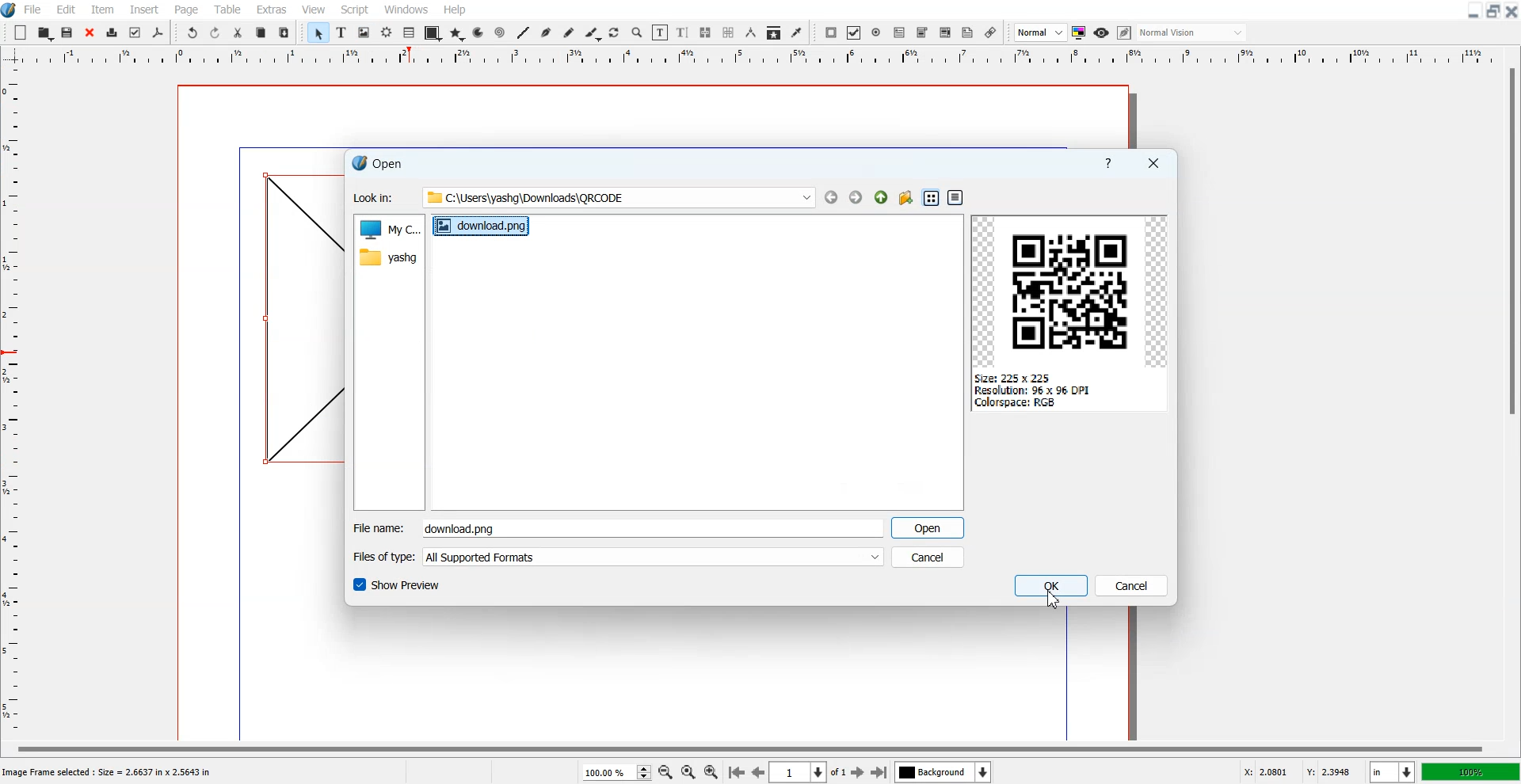 The height and width of the screenshot is (784, 1521). What do you see at coordinates (527, 197) in the screenshot?
I see `“1 C:\Users\yashg\Downloads\QRCODE` at bounding box center [527, 197].